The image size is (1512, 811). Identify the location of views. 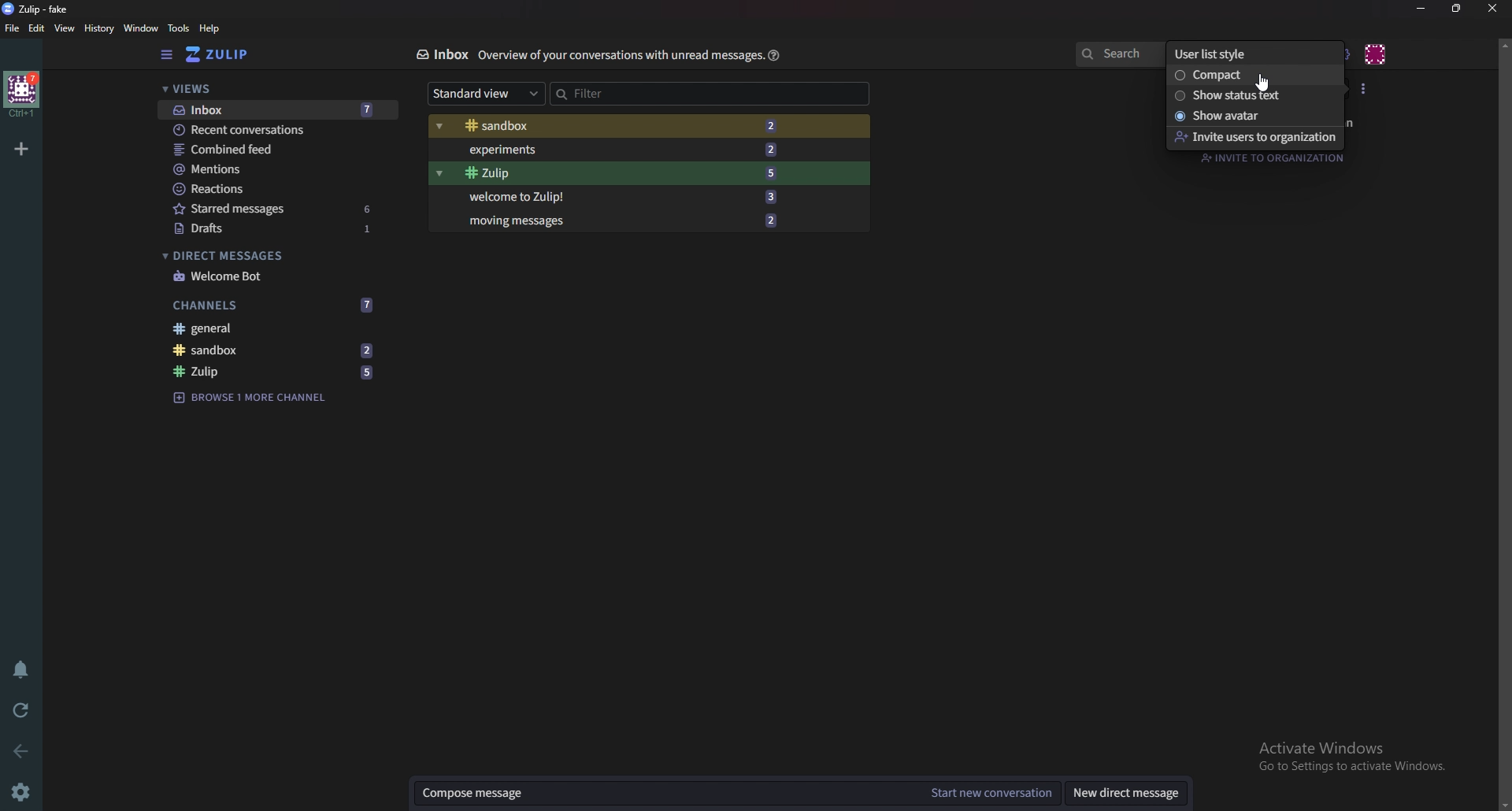
(269, 90).